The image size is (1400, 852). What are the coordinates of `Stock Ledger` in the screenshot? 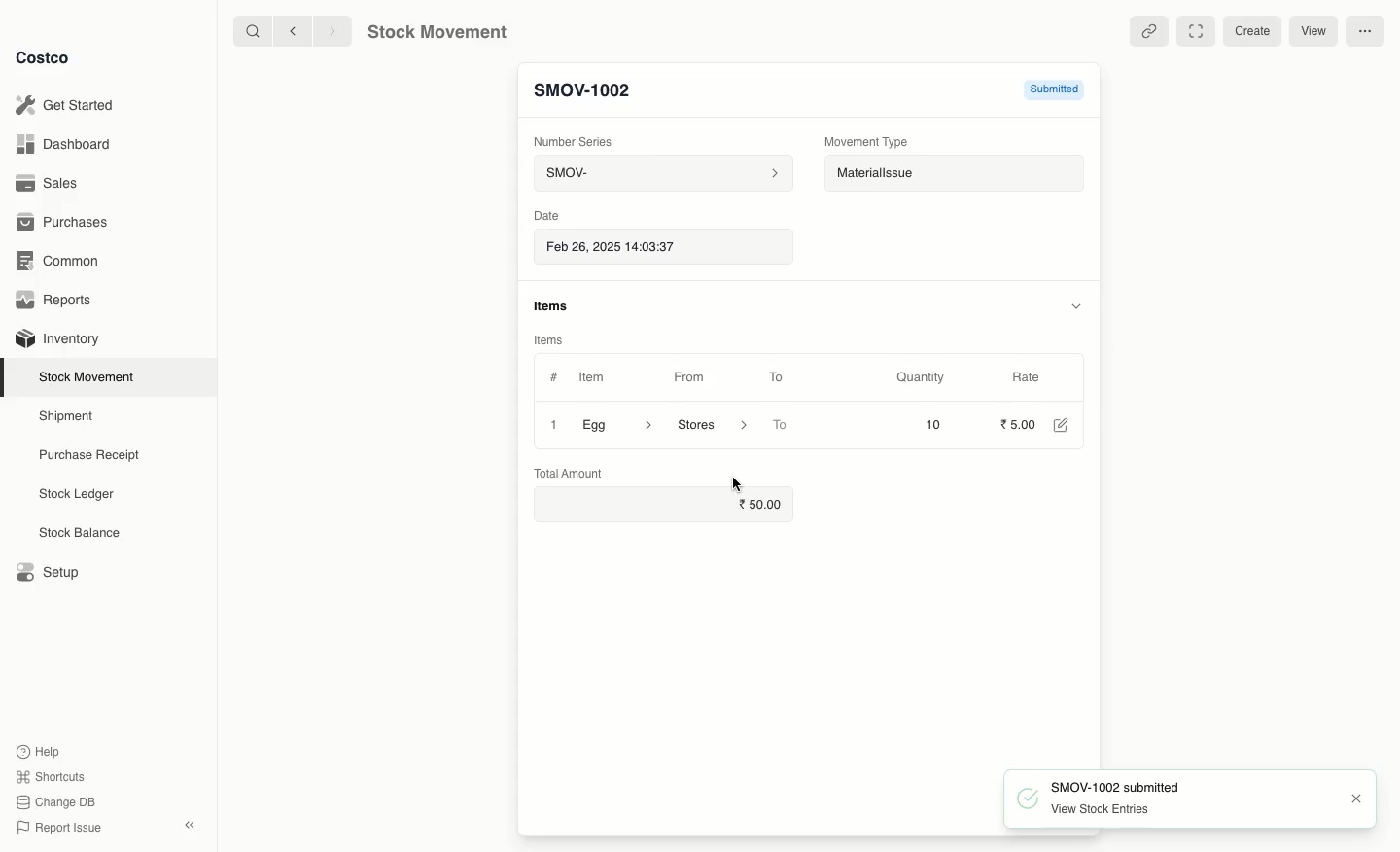 It's located at (77, 496).